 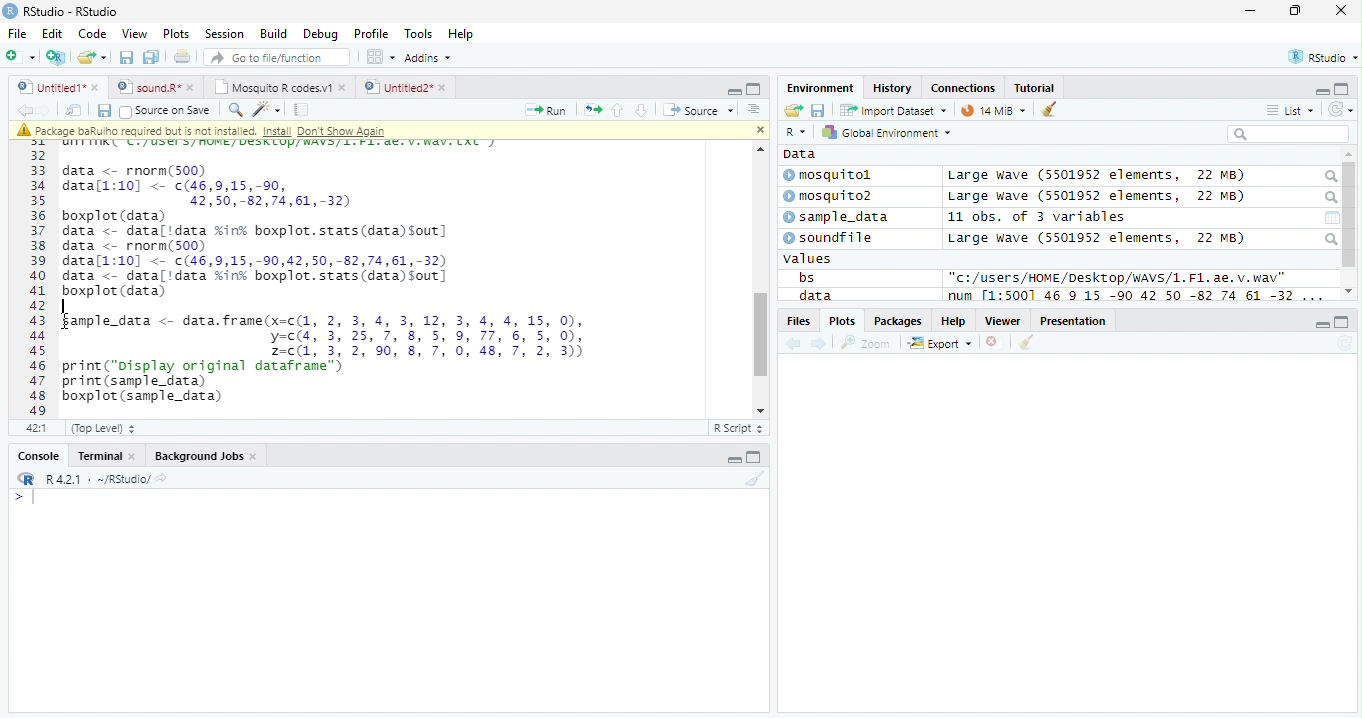 I want to click on Print, so click(x=183, y=58).